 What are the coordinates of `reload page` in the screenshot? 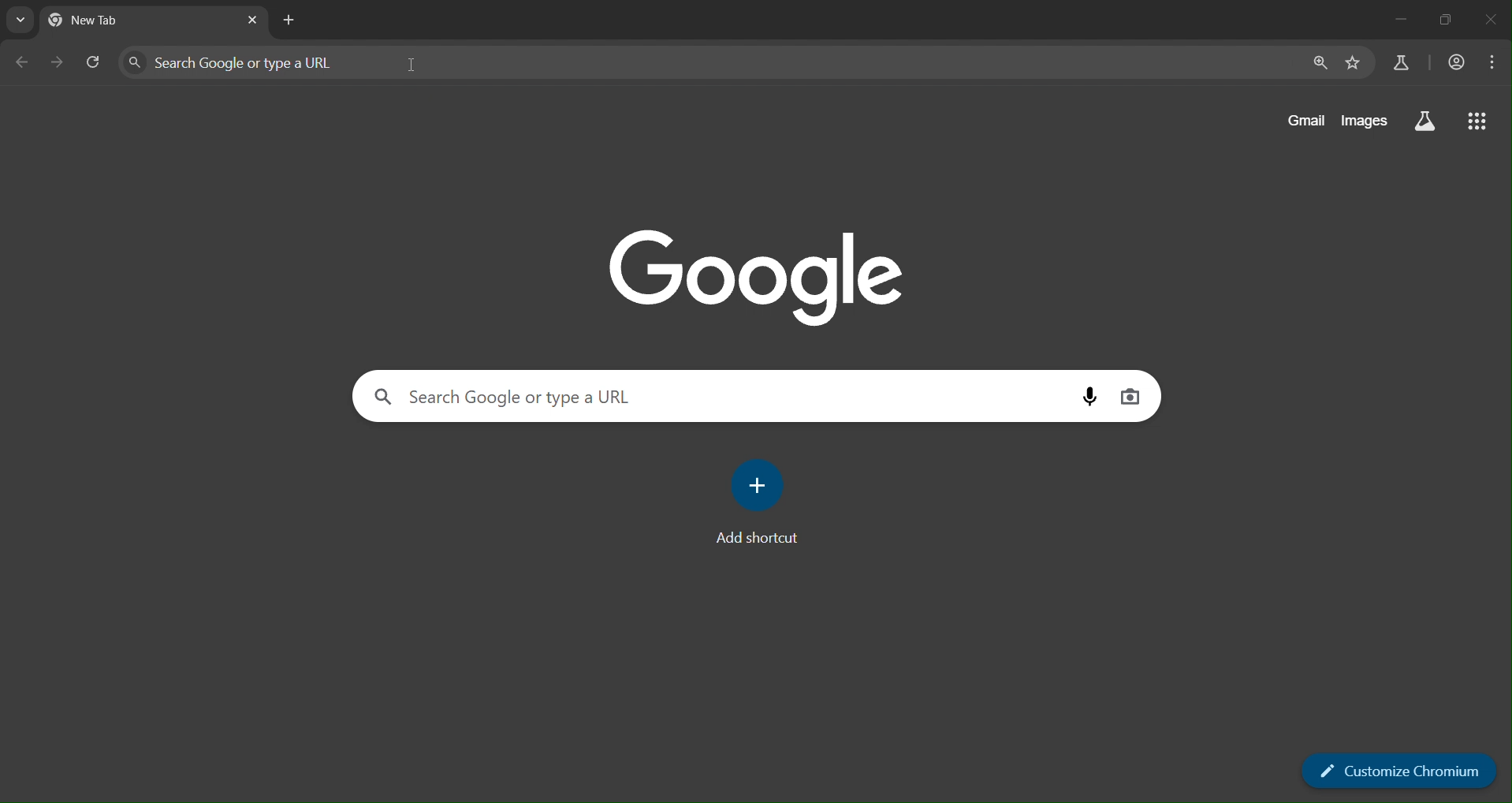 It's located at (95, 61).